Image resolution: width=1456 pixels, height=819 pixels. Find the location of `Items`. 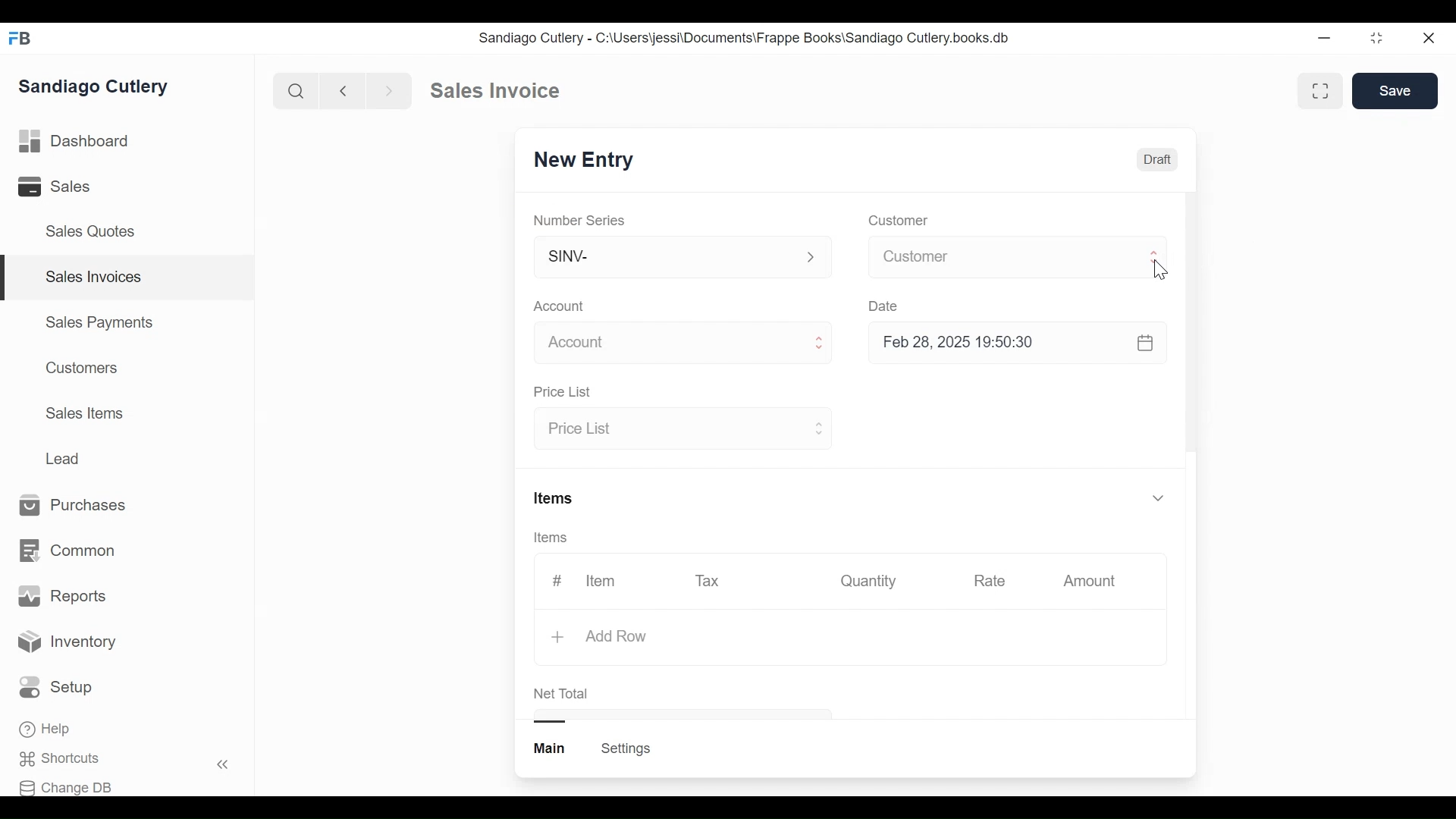

Items is located at coordinates (556, 497).